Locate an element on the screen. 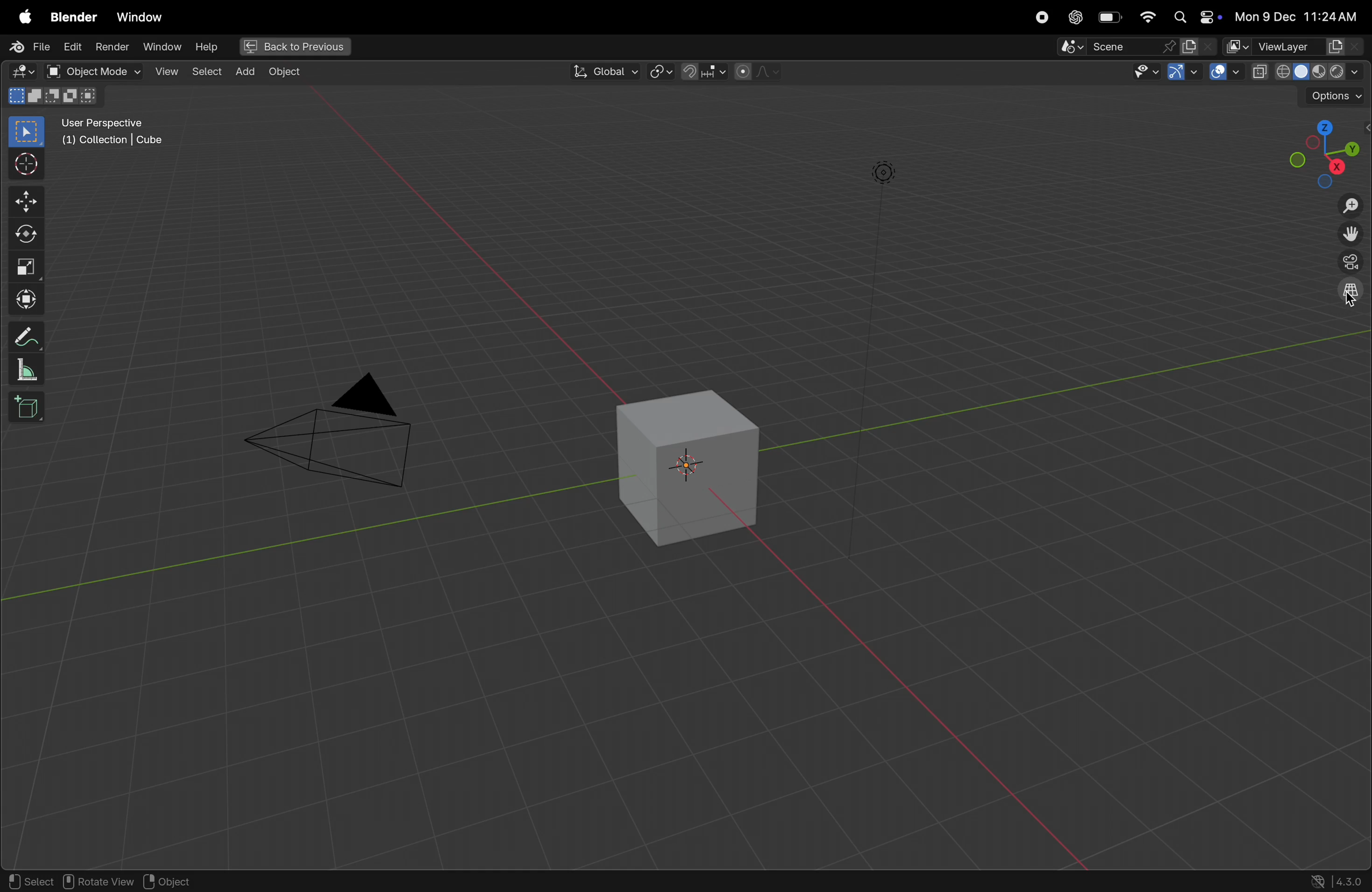  show gizmo is located at coordinates (1183, 71).